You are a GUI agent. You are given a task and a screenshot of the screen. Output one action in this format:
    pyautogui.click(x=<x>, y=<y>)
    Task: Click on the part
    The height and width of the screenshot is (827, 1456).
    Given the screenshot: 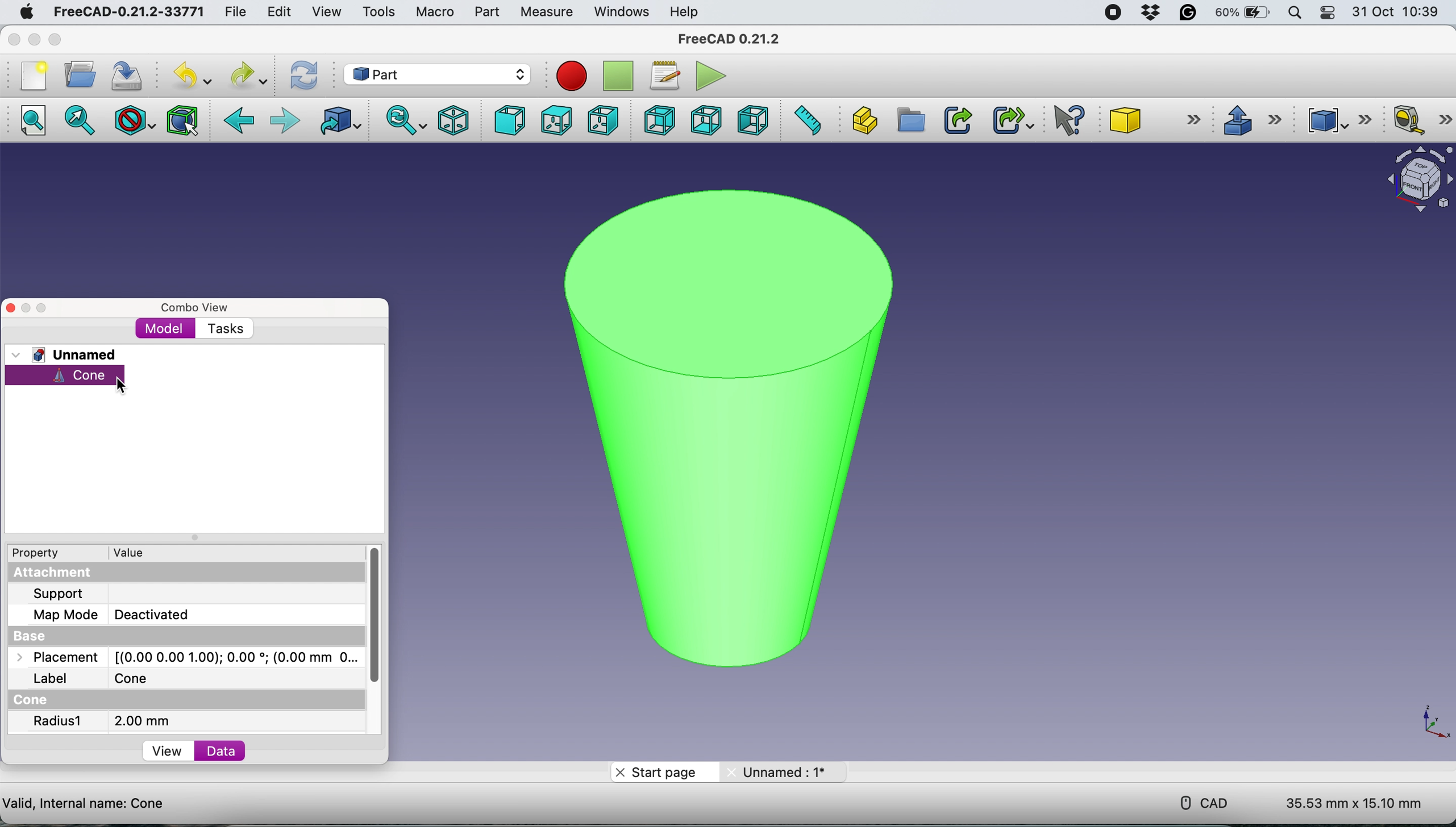 What is the action you would take?
    pyautogui.click(x=484, y=12)
    